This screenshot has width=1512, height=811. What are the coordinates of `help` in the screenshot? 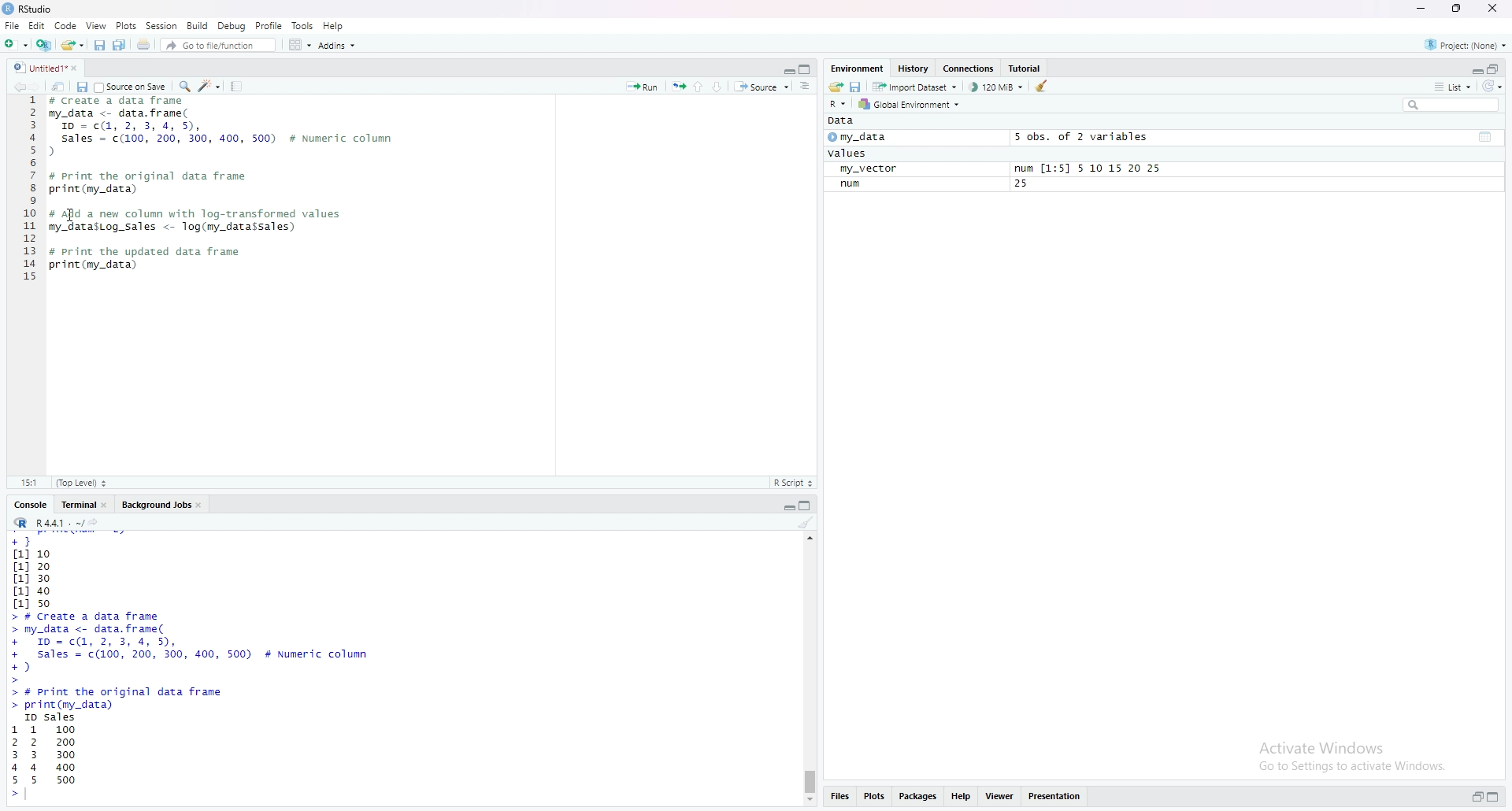 It's located at (962, 799).